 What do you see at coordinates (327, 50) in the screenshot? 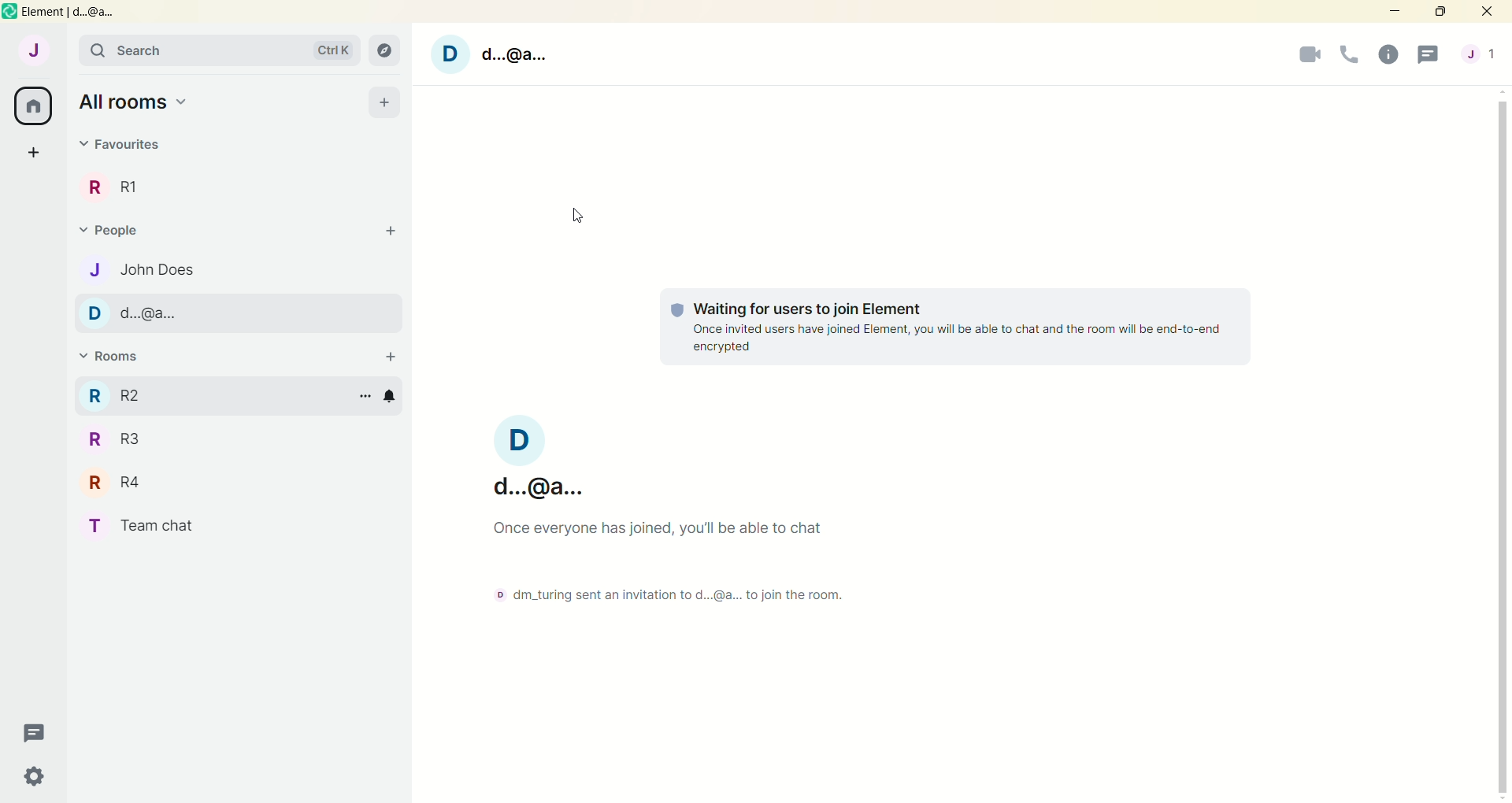
I see `Ctrl K` at bounding box center [327, 50].